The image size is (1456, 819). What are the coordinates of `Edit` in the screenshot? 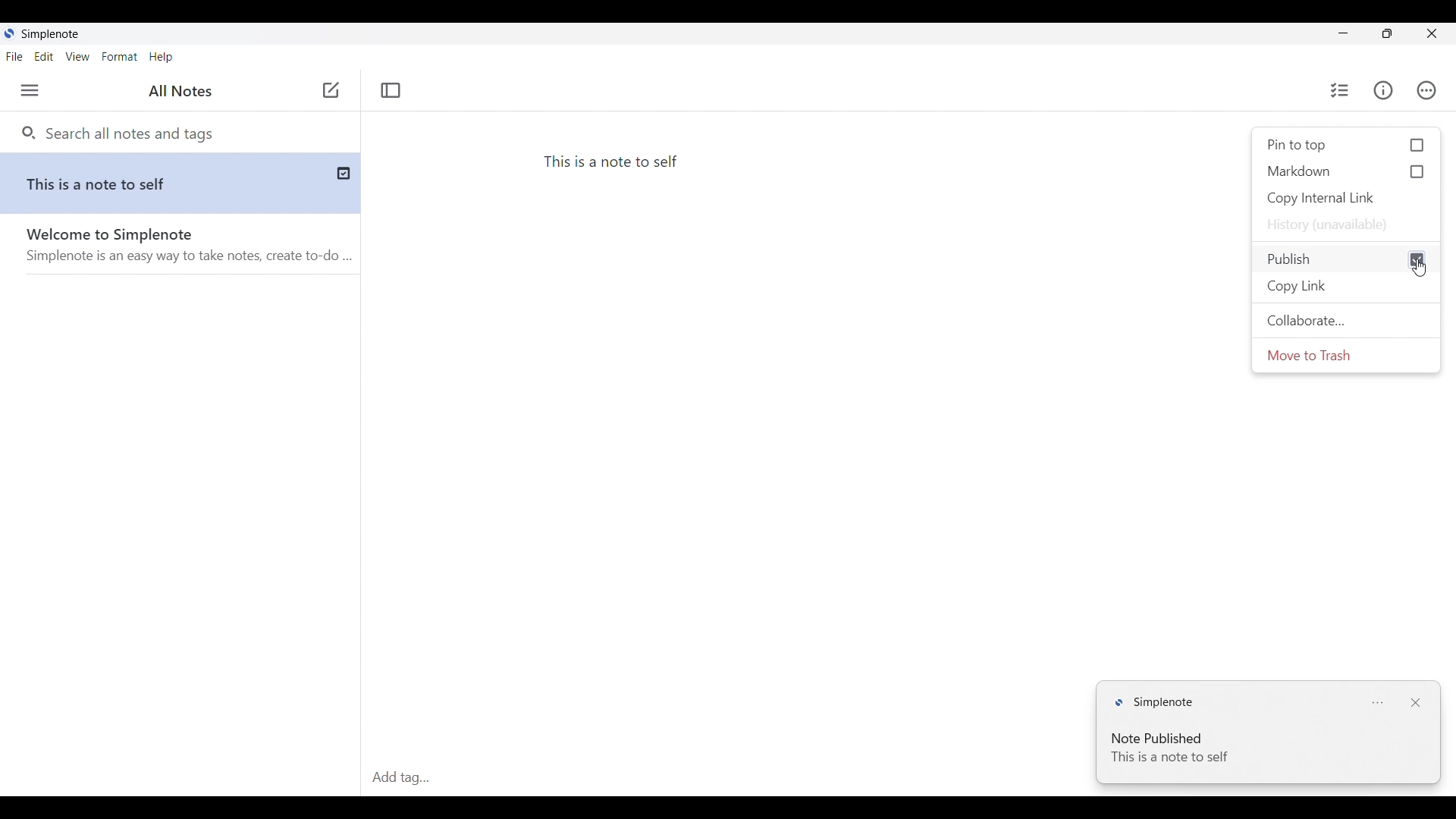 It's located at (43, 56).